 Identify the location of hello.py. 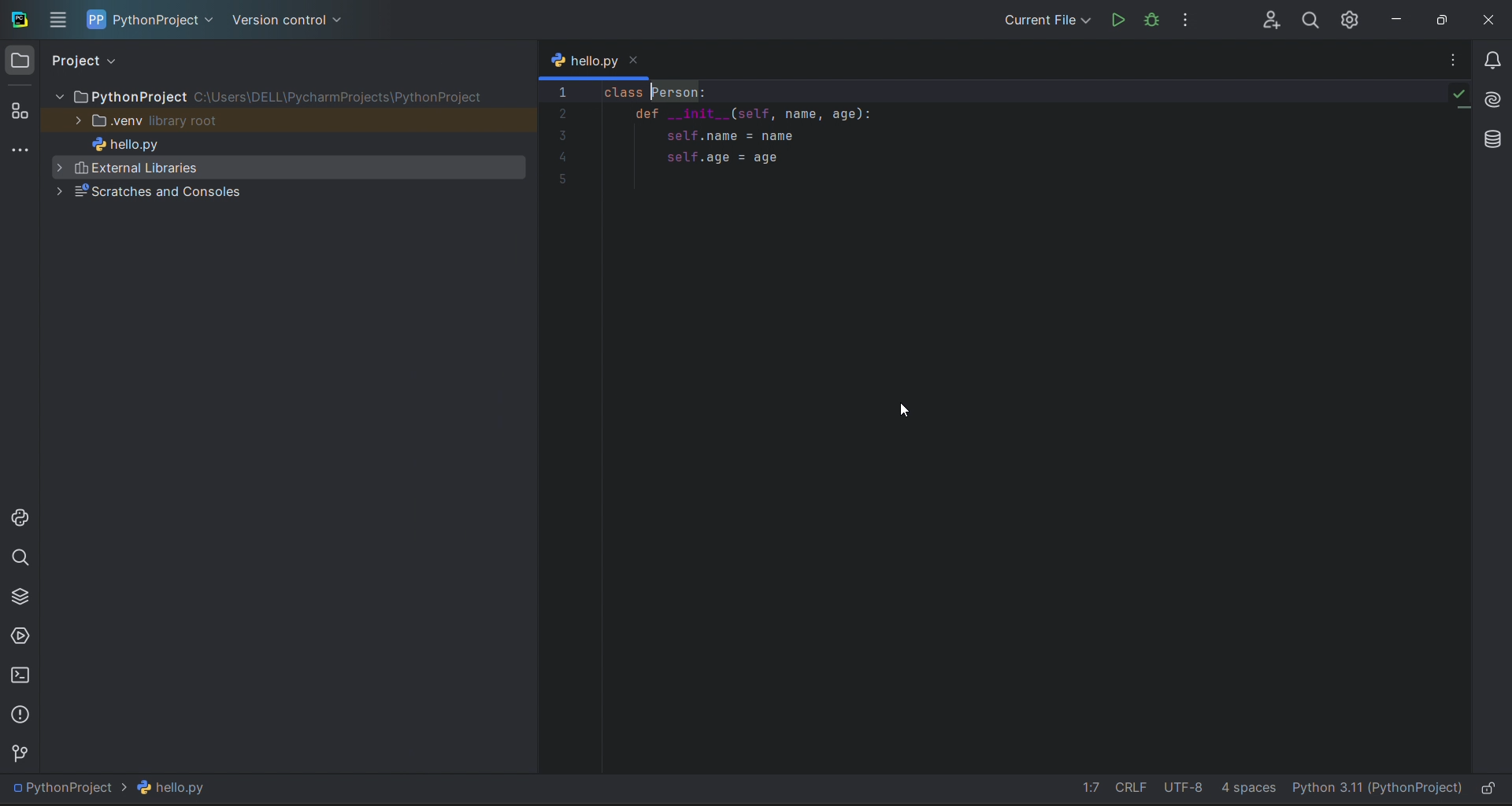
(286, 143).